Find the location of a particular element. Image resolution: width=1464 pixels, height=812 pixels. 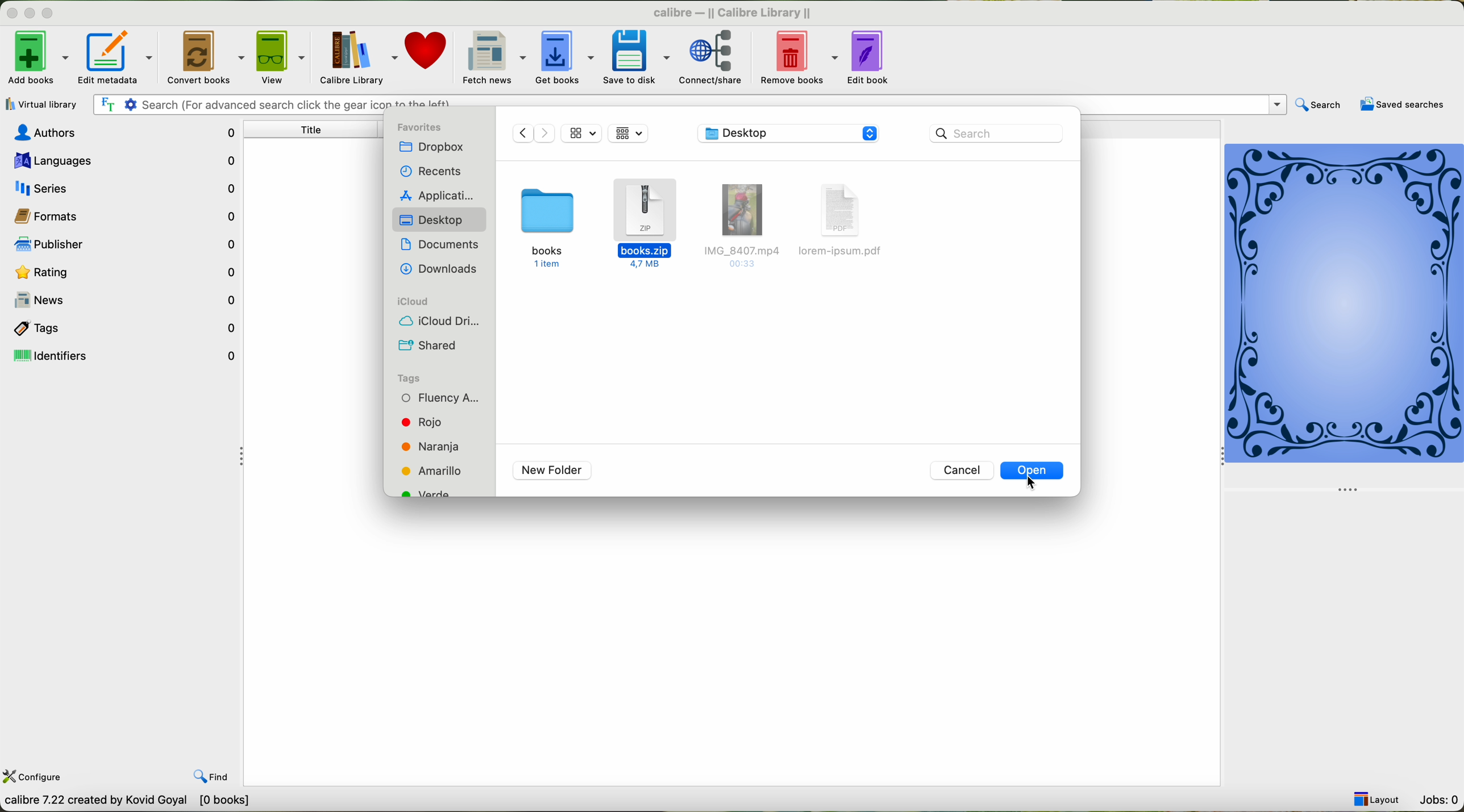

minimize is located at coordinates (27, 14).